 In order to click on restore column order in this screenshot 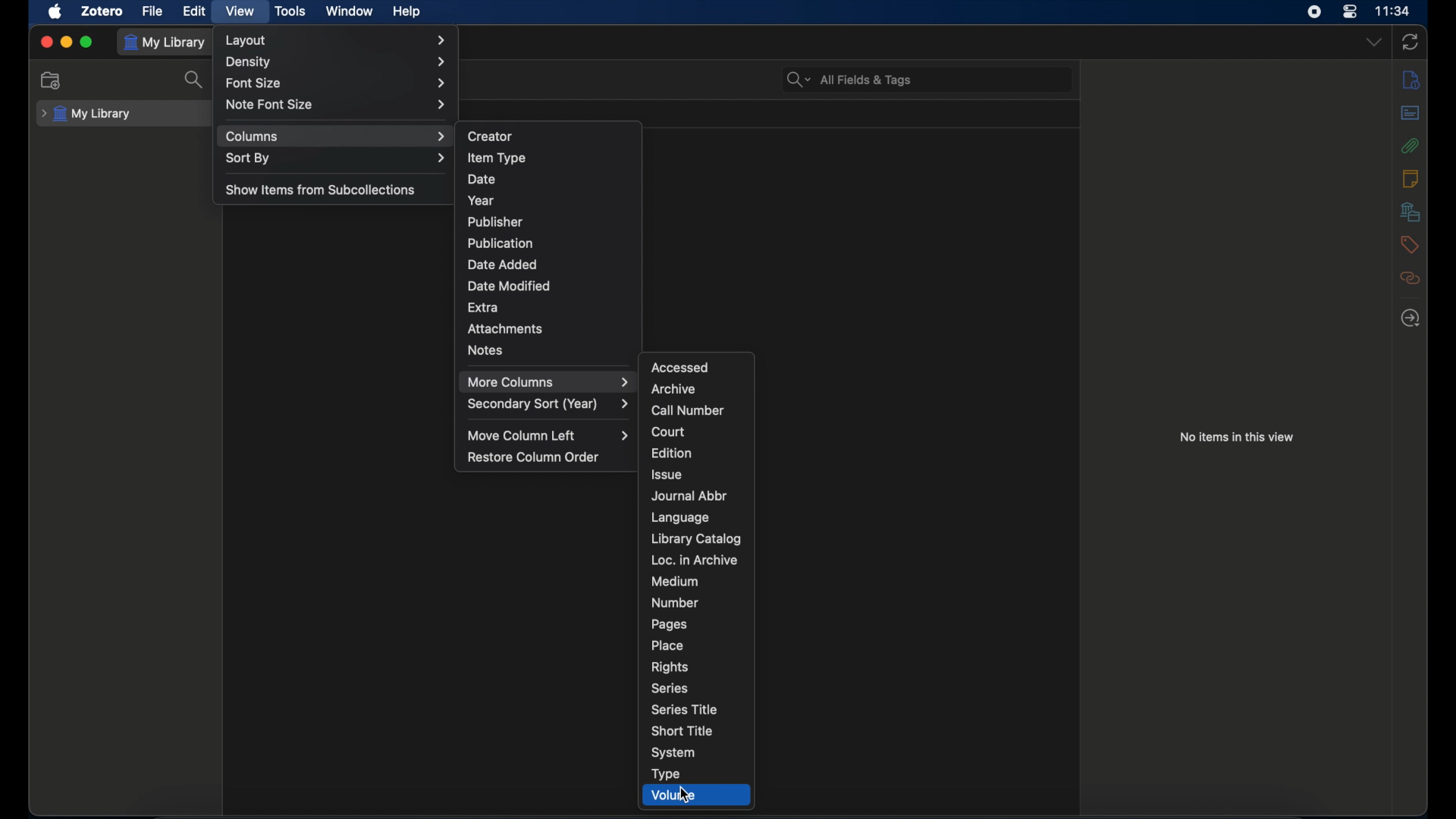, I will do `click(533, 457)`.